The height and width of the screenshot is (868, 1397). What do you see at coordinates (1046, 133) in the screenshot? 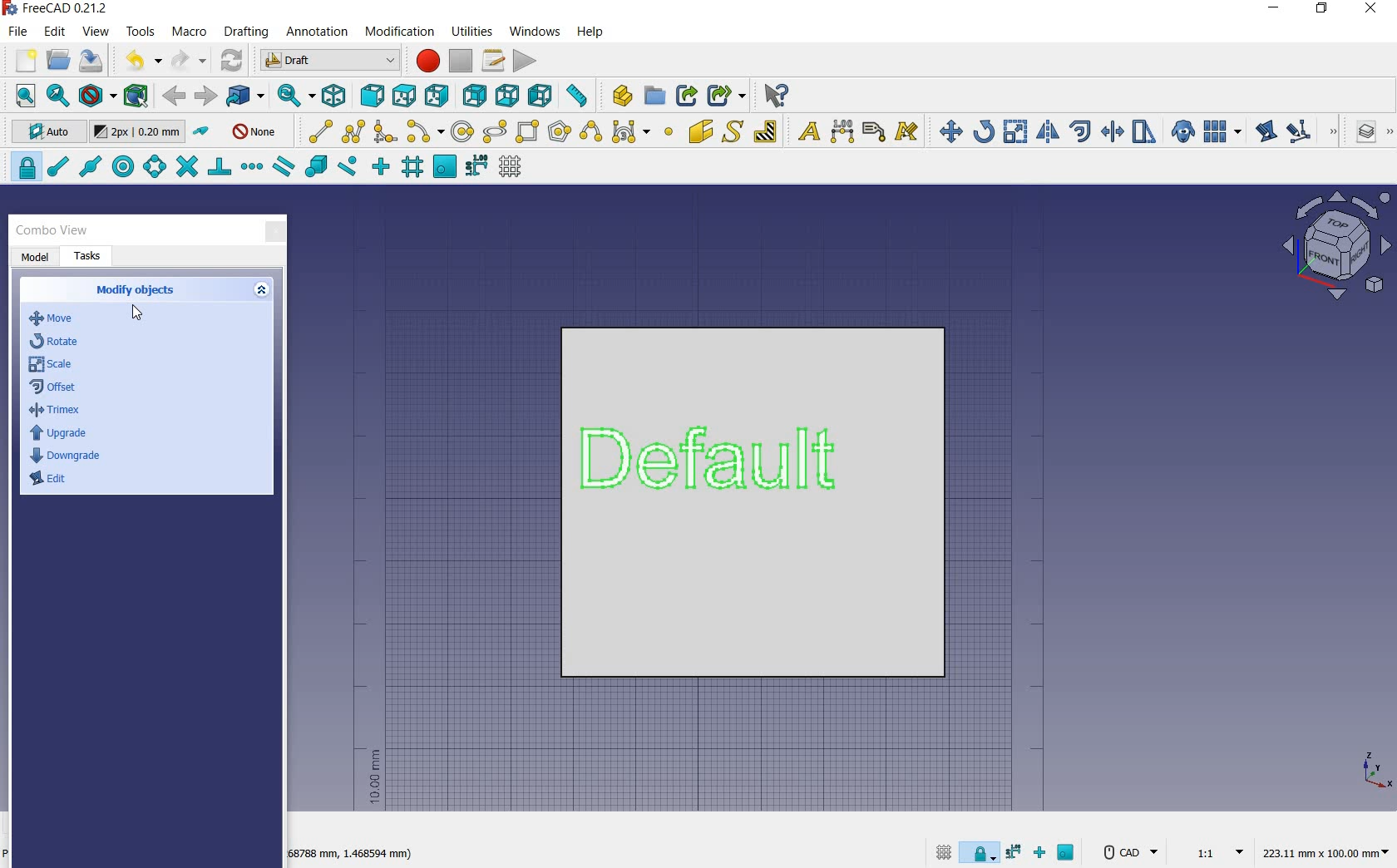
I see `mirror` at bounding box center [1046, 133].